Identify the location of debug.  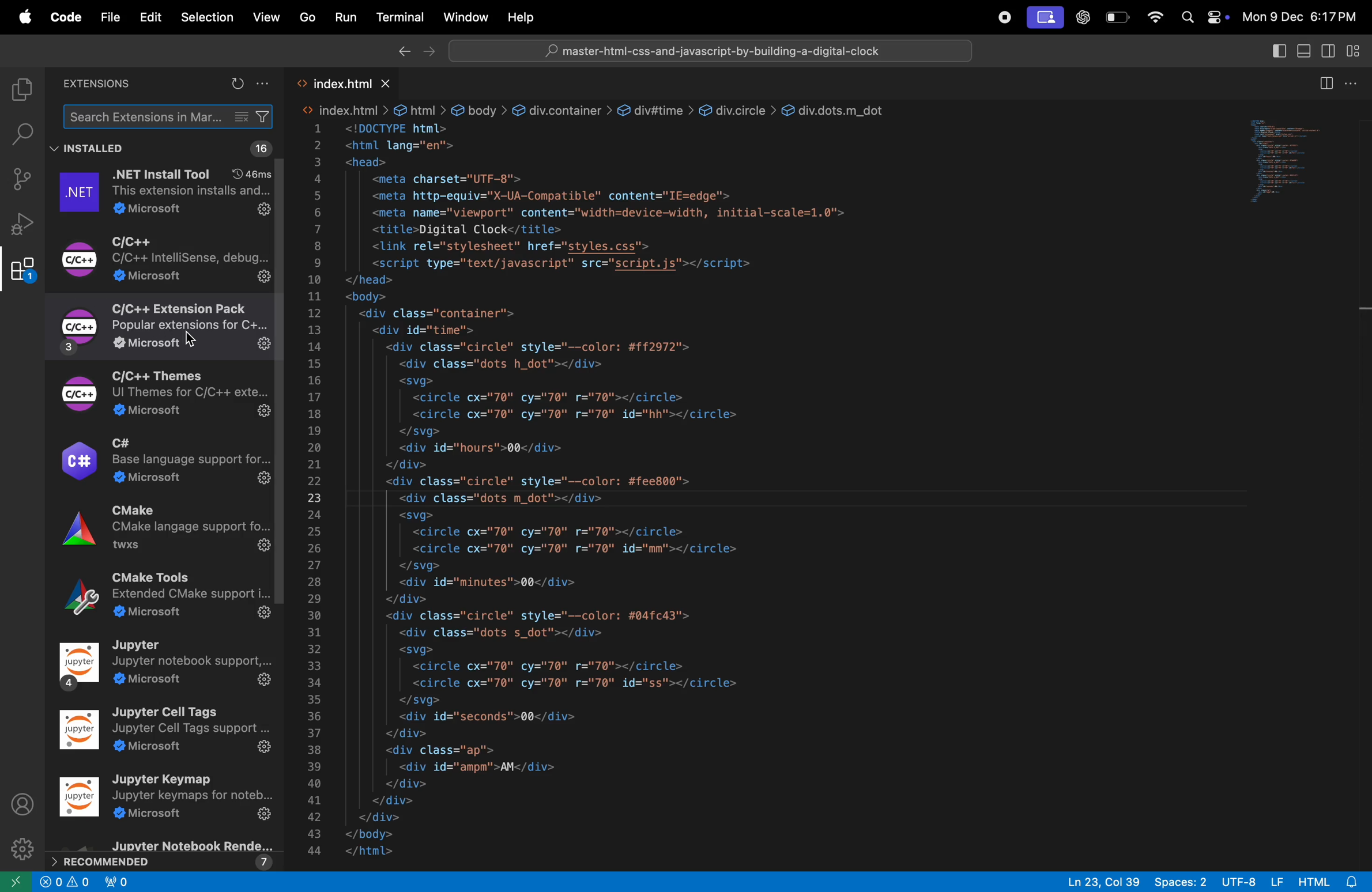
(22, 224).